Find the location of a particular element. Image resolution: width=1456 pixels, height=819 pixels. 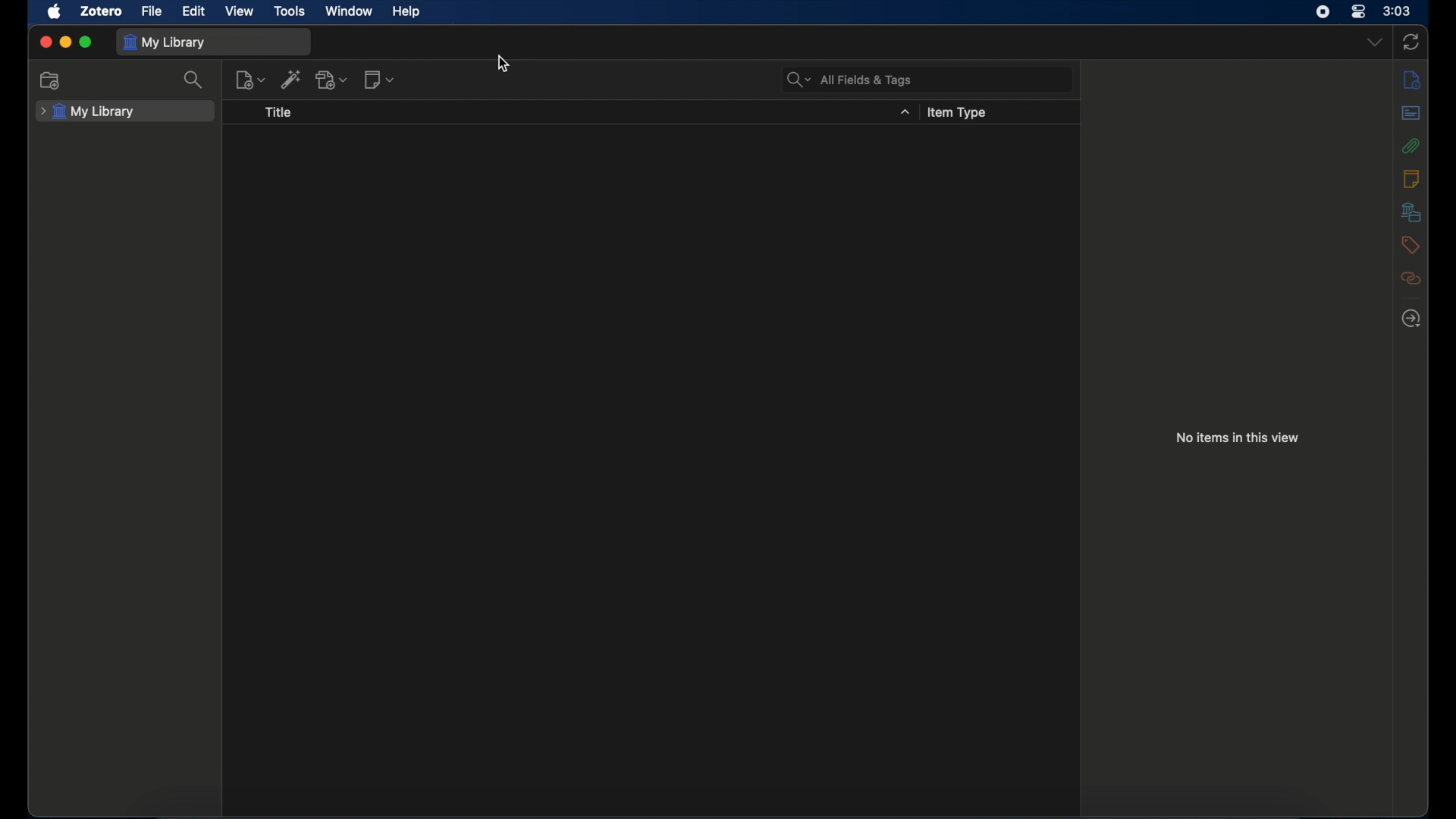

my library is located at coordinates (88, 115).